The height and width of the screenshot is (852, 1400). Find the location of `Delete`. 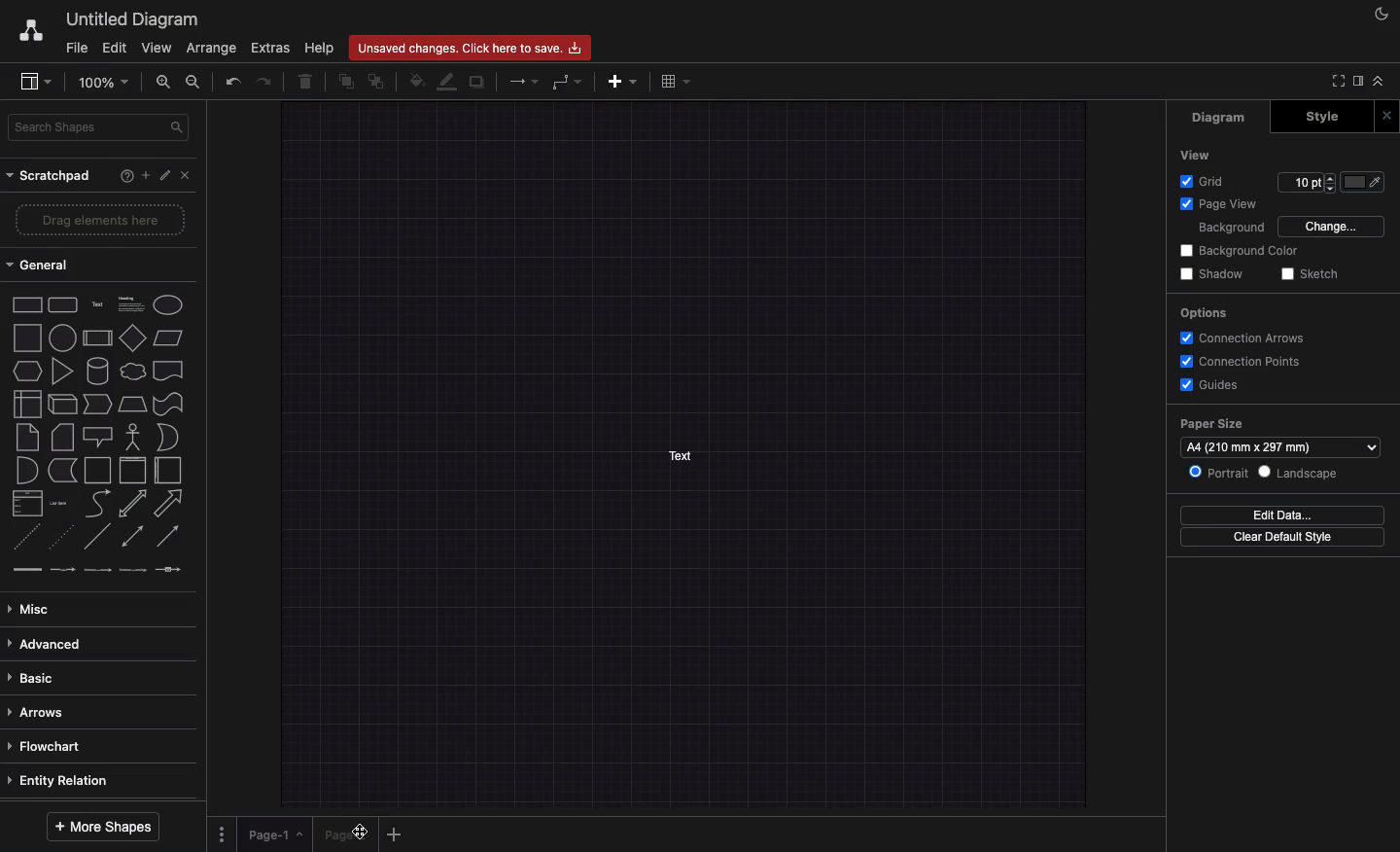

Delete is located at coordinates (310, 82).